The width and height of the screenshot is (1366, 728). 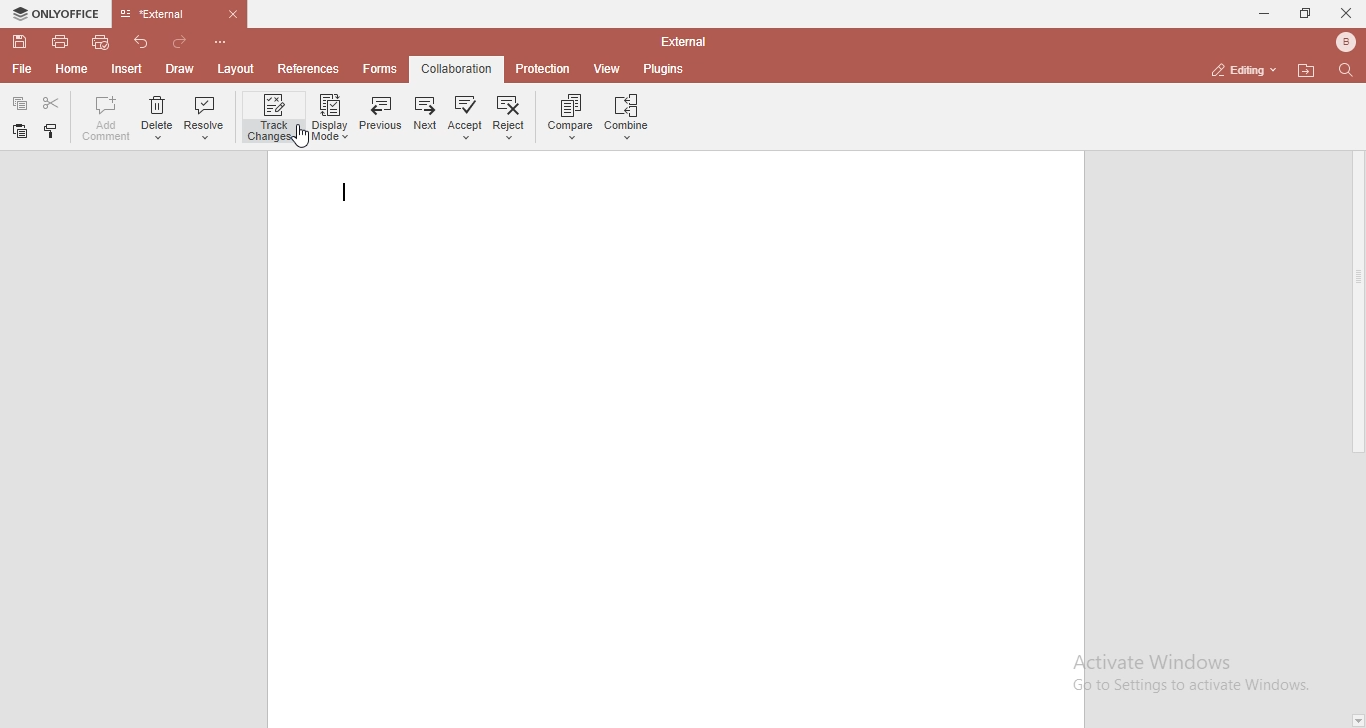 What do you see at coordinates (1306, 69) in the screenshot?
I see `open file location` at bounding box center [1306, 69].